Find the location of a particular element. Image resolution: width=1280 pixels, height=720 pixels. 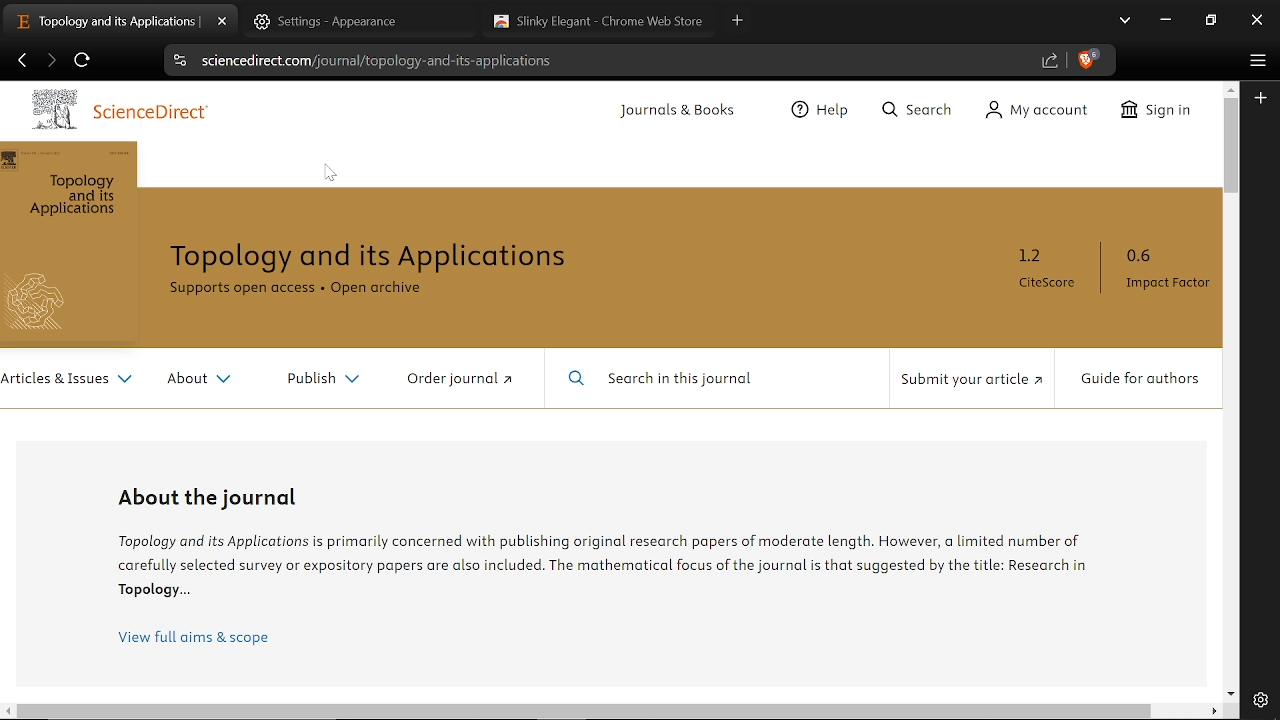

 is located at coordinates (1265, 701).